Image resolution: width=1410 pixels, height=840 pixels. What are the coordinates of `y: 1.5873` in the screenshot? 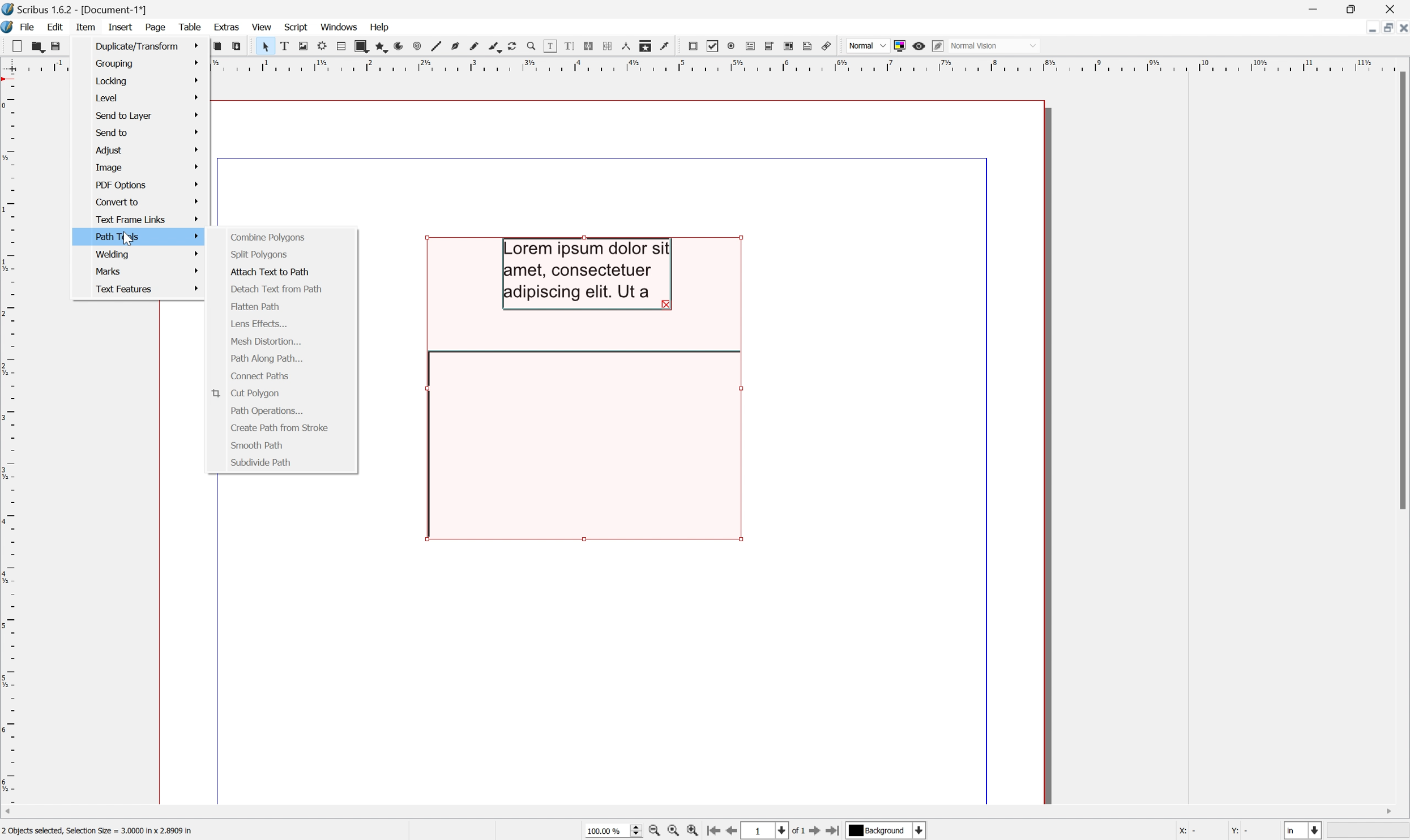 It's located at (1249, 832).